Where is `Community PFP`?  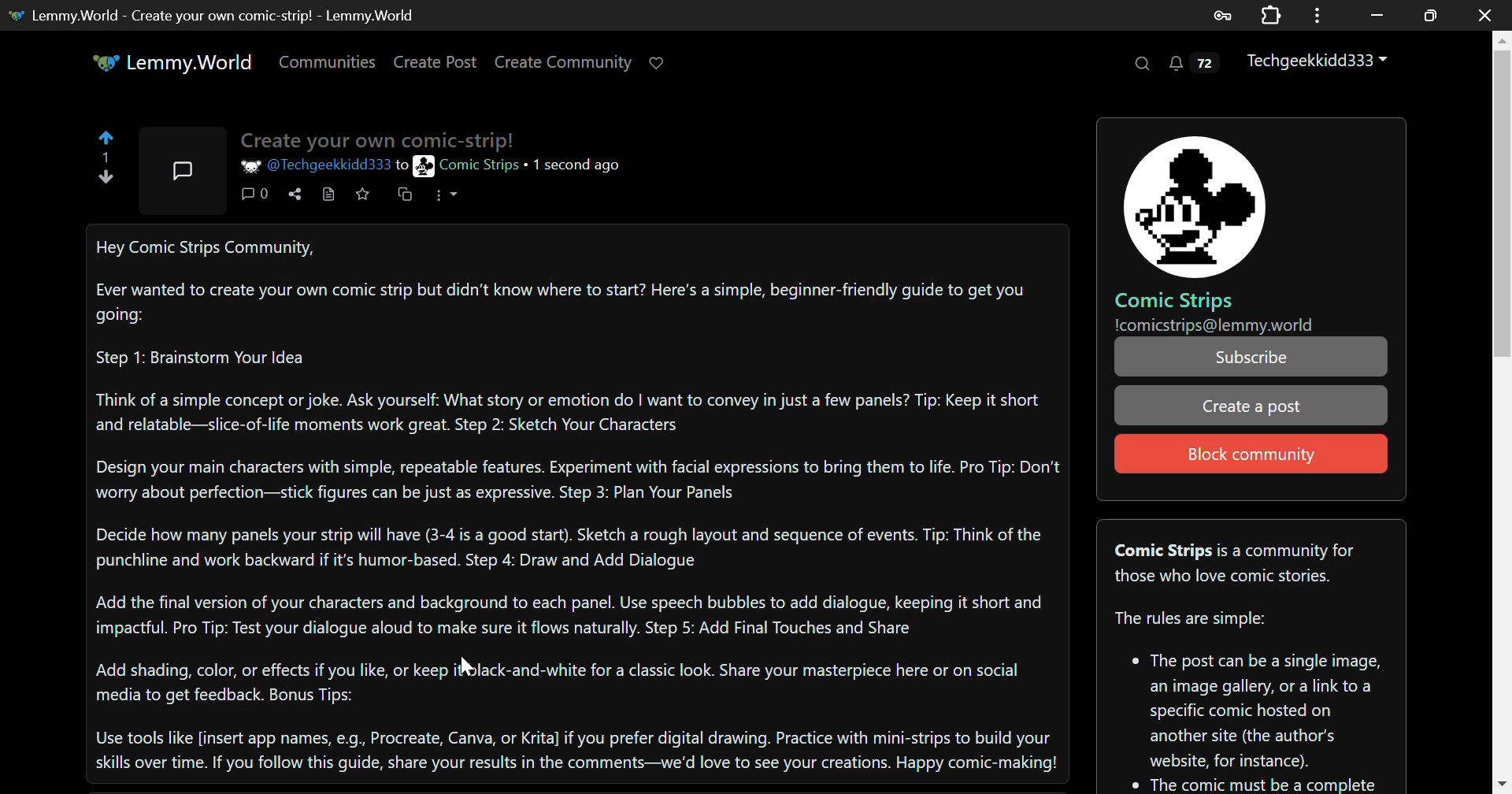 Community PFP is located at coordinates (1194, 206).